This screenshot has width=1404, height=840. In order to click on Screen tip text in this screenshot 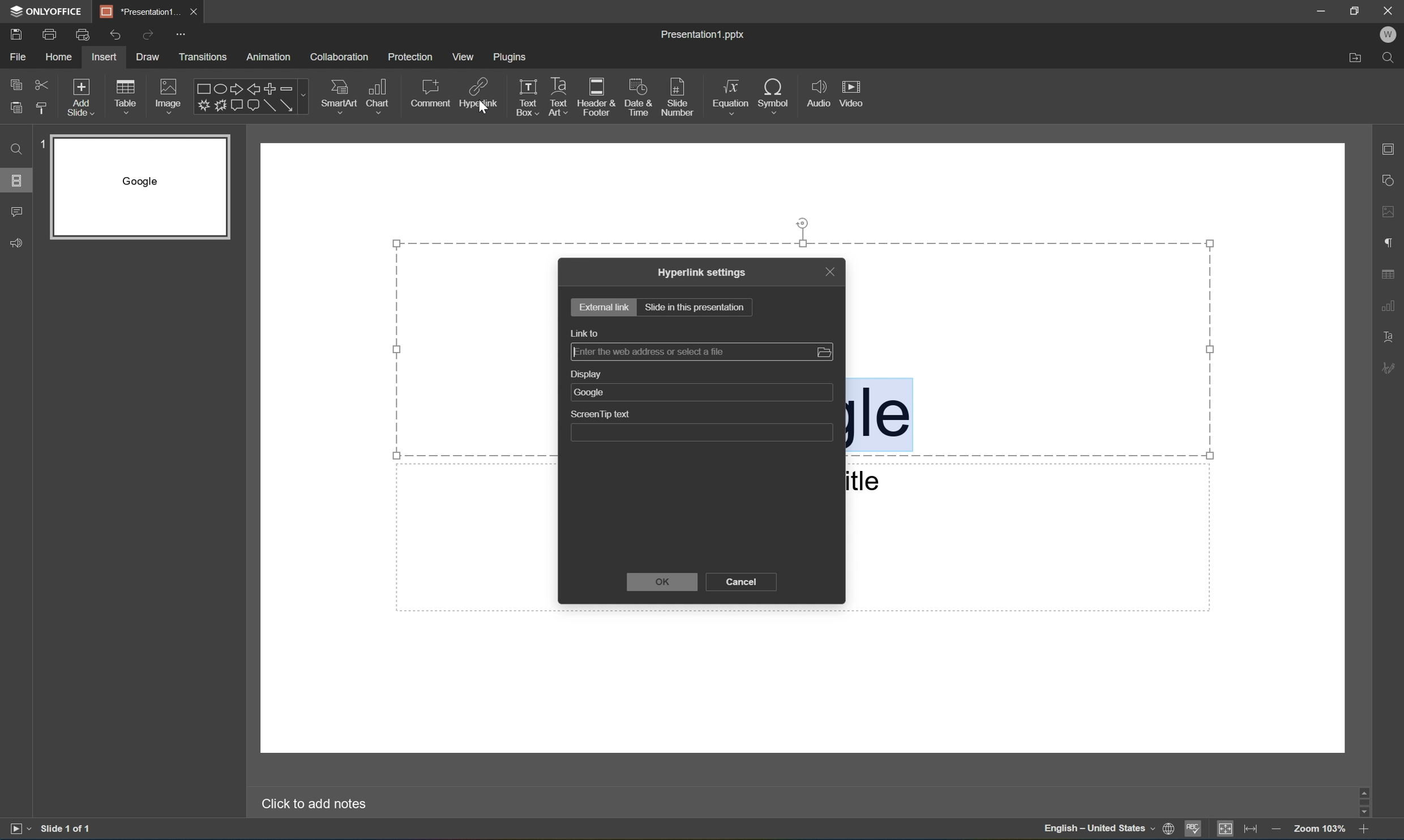, I will do `click(701, 426)`.